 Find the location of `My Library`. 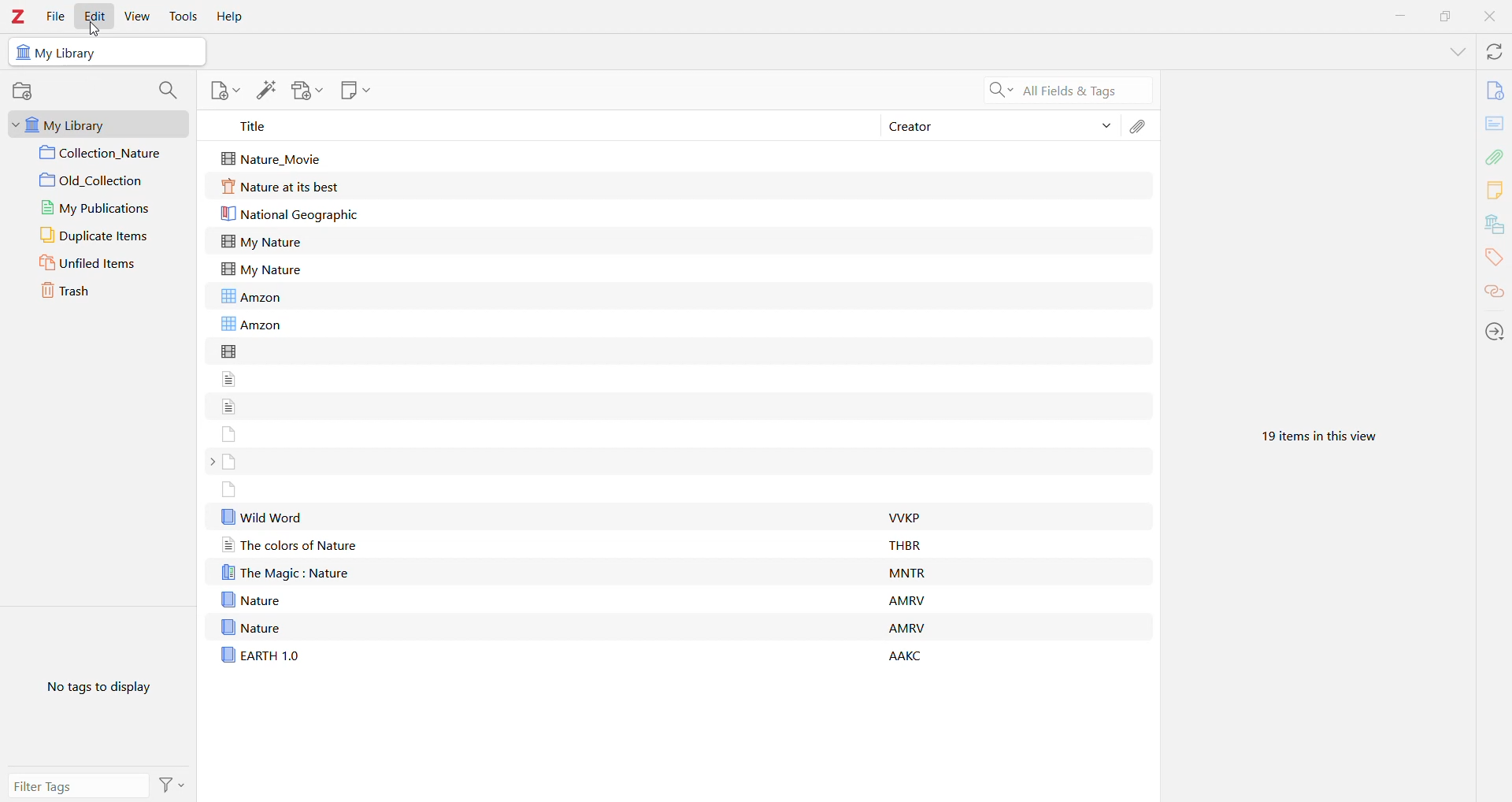

My Library is located at coordinates (71, 54).